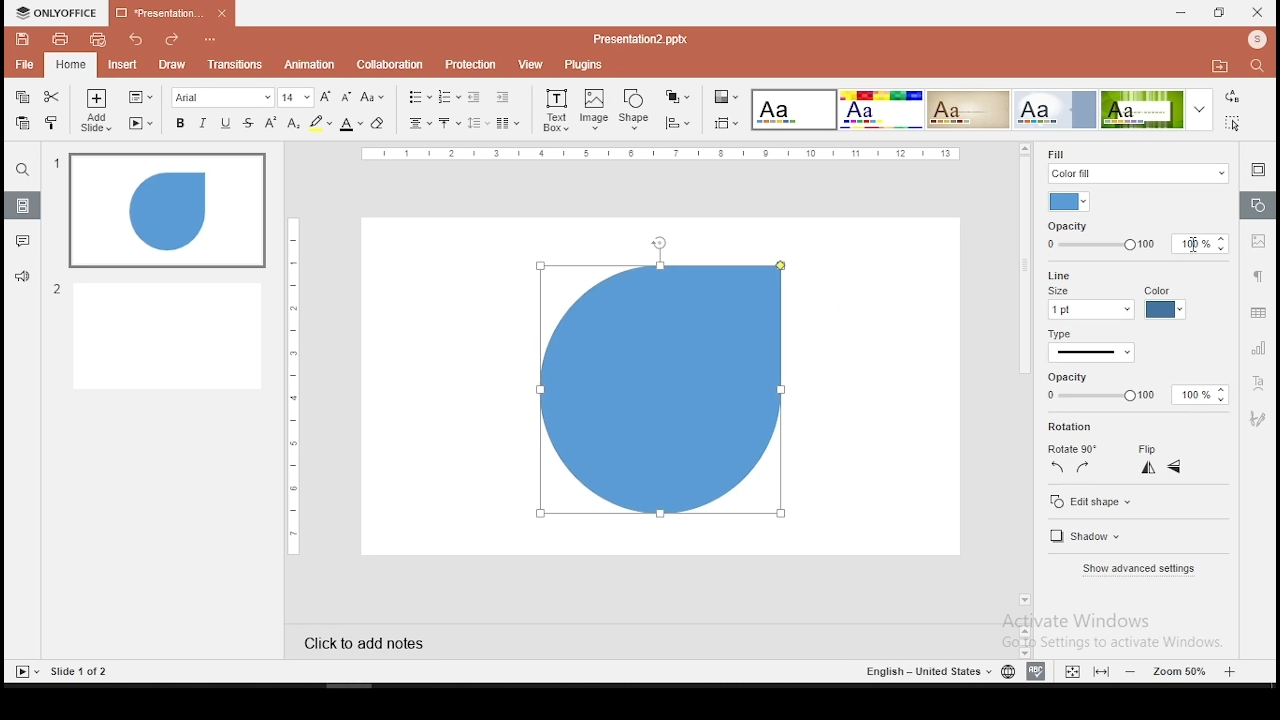 The height and width of the screenshot is (720, 1280). Describe the element at coordinates (22, 39) in the screenshot. I see `save` at that location.